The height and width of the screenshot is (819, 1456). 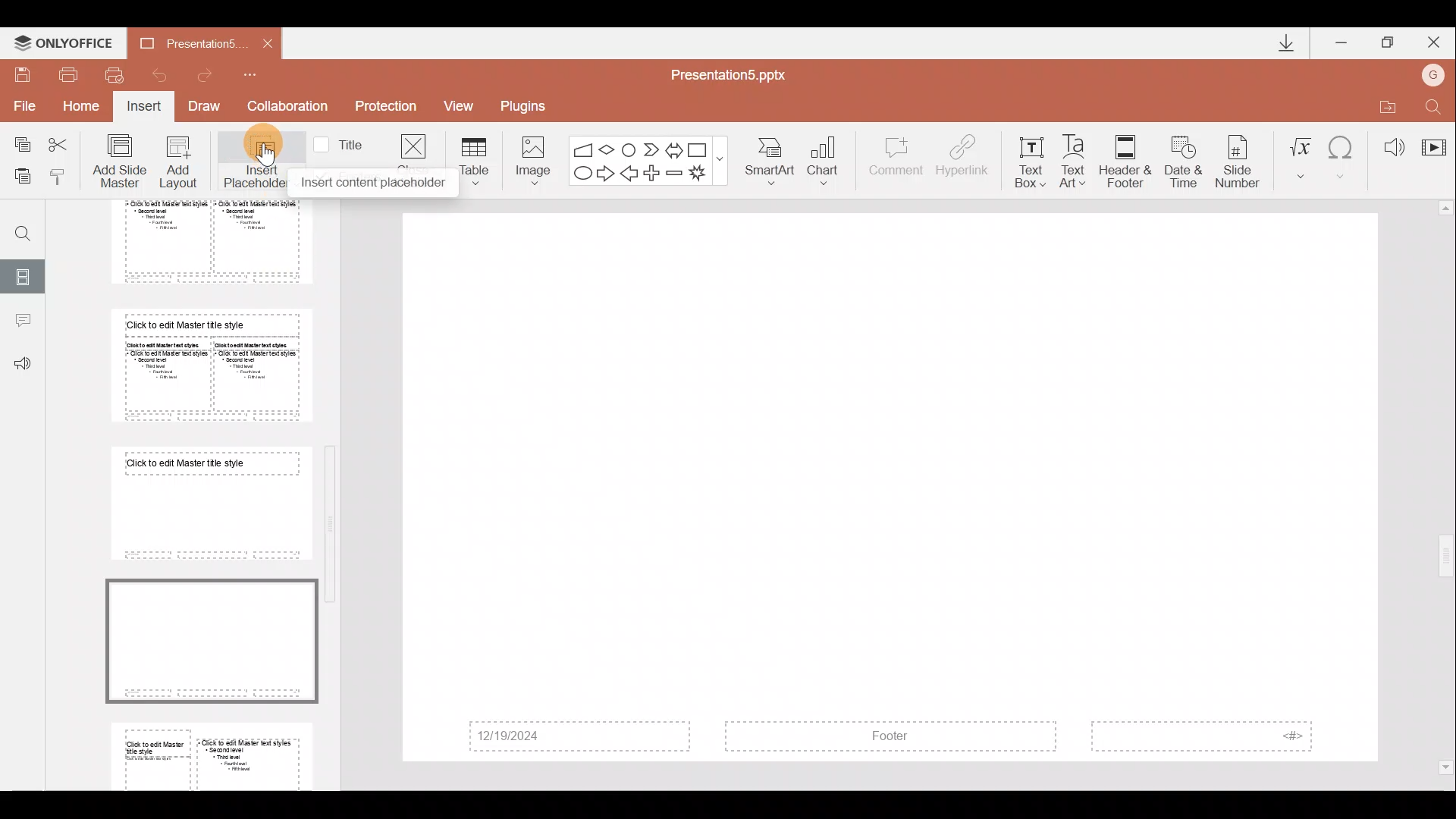 I want to click on Add layout, so click(x=179, y=165).